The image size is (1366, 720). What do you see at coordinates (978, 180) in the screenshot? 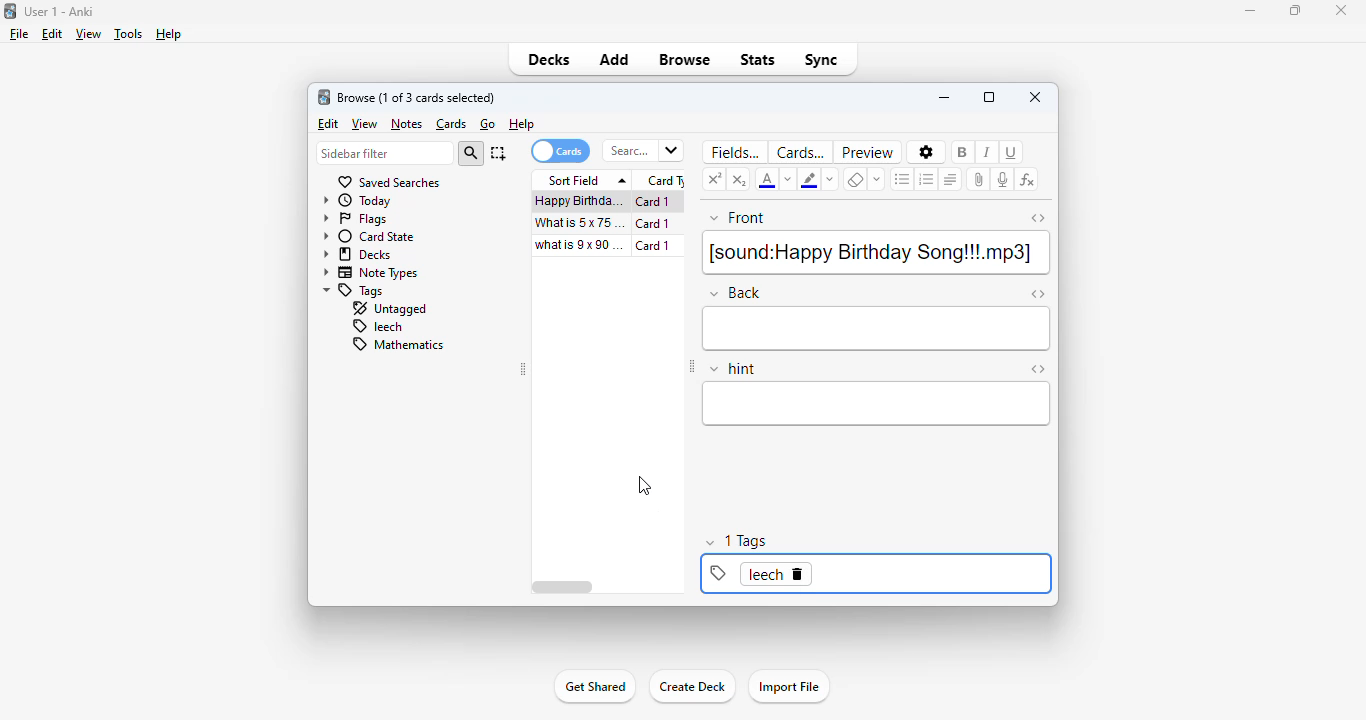
I see `attach pictures/audio/video` at bounding box center [978, 180].